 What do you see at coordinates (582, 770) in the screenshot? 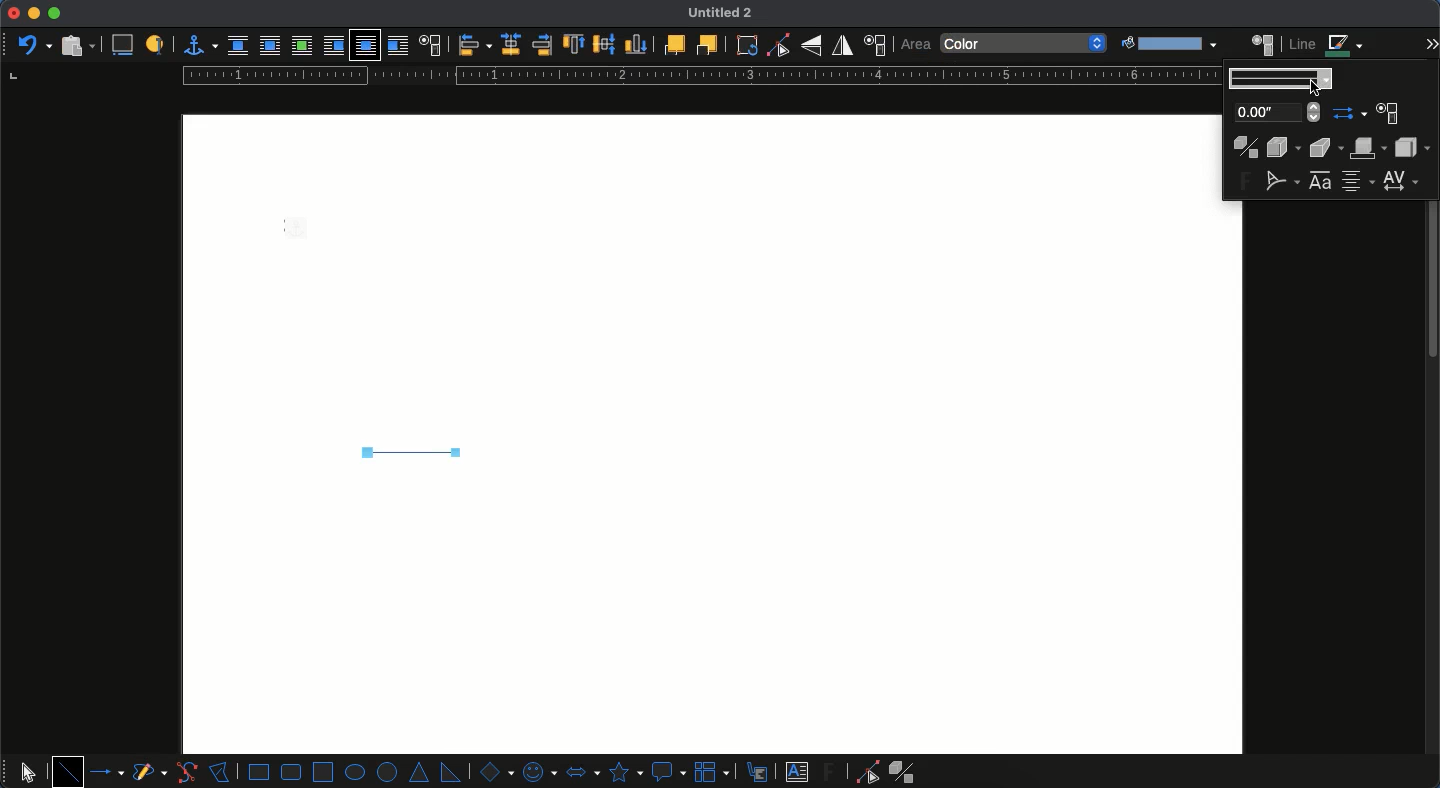
I see `block arrows` at bounding box center [582, 770].